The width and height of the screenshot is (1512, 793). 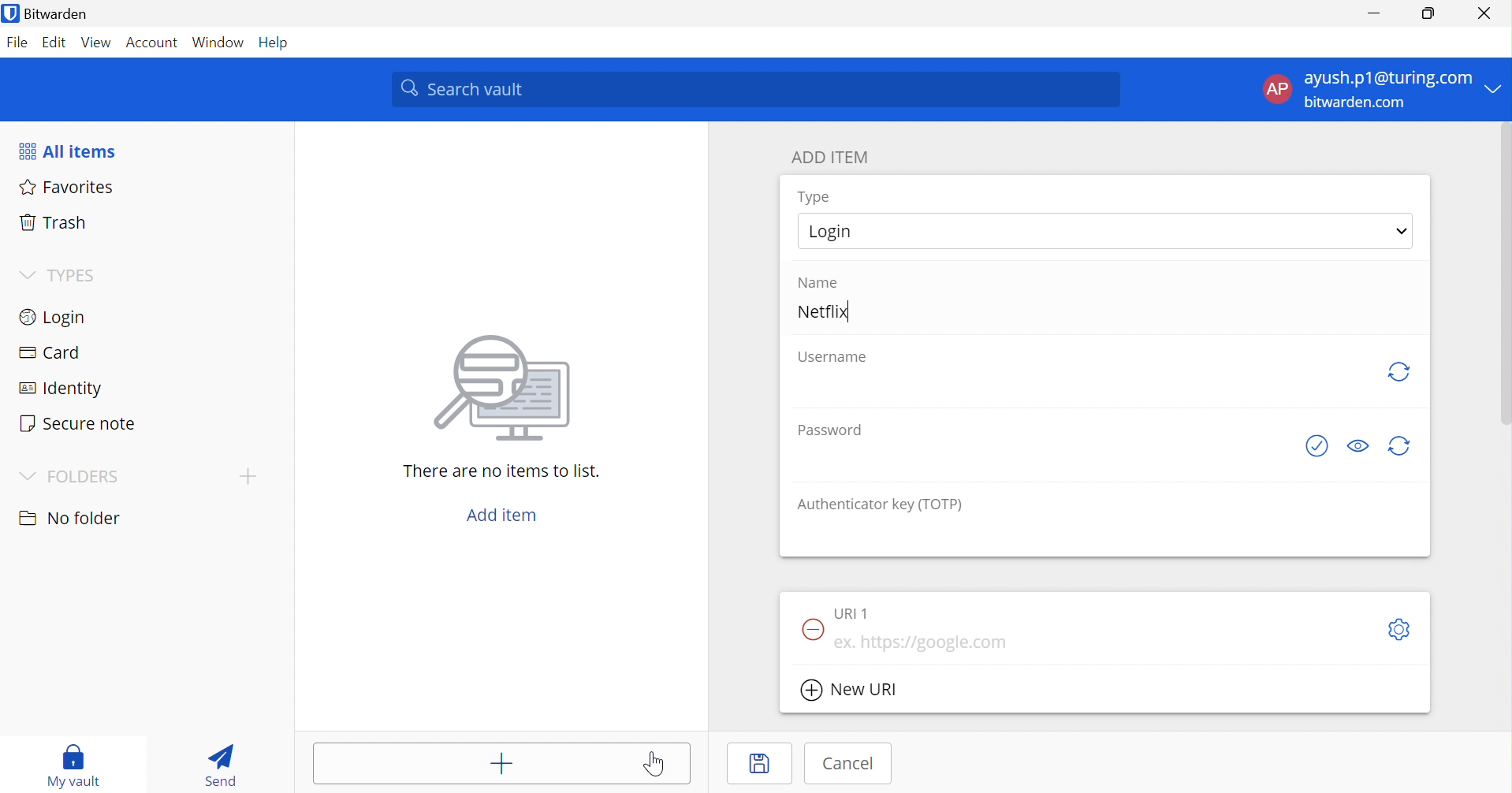 I want to click on AP, so click(x=1277, y=89).